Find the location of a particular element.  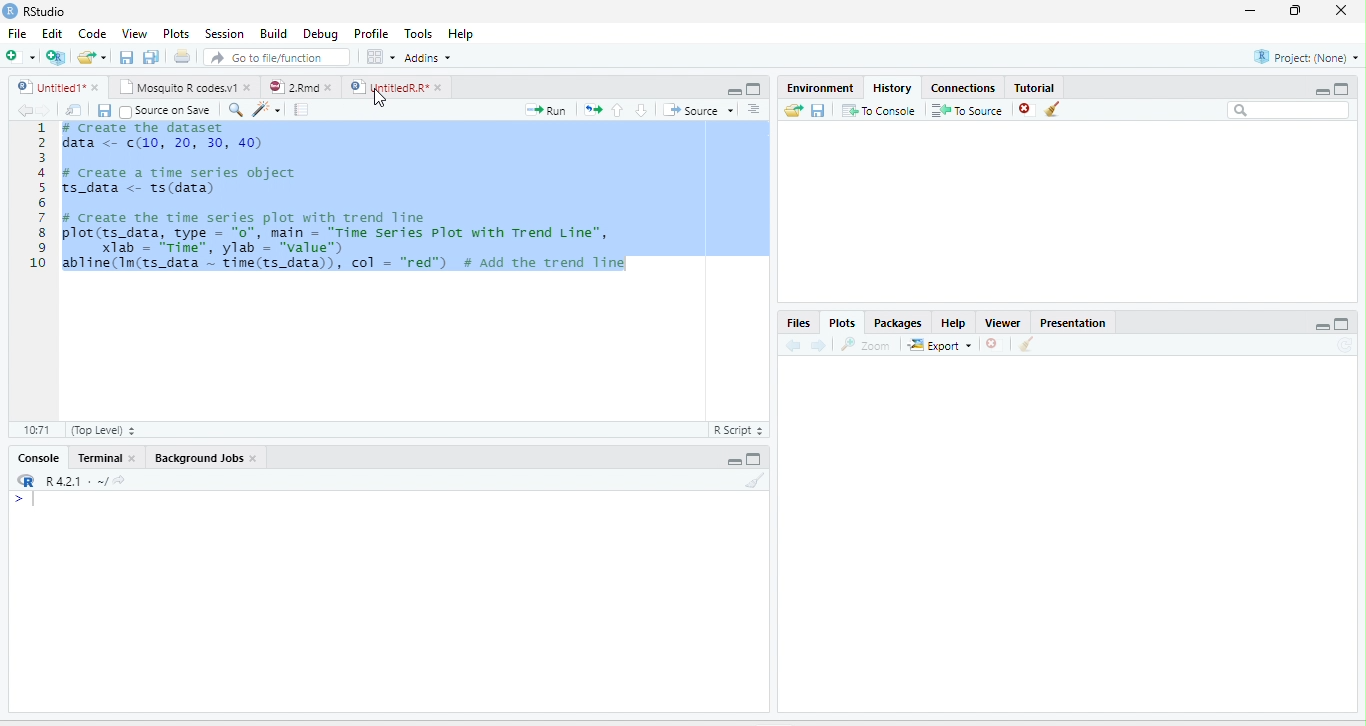

cursor is located at coordinates (381, 99).